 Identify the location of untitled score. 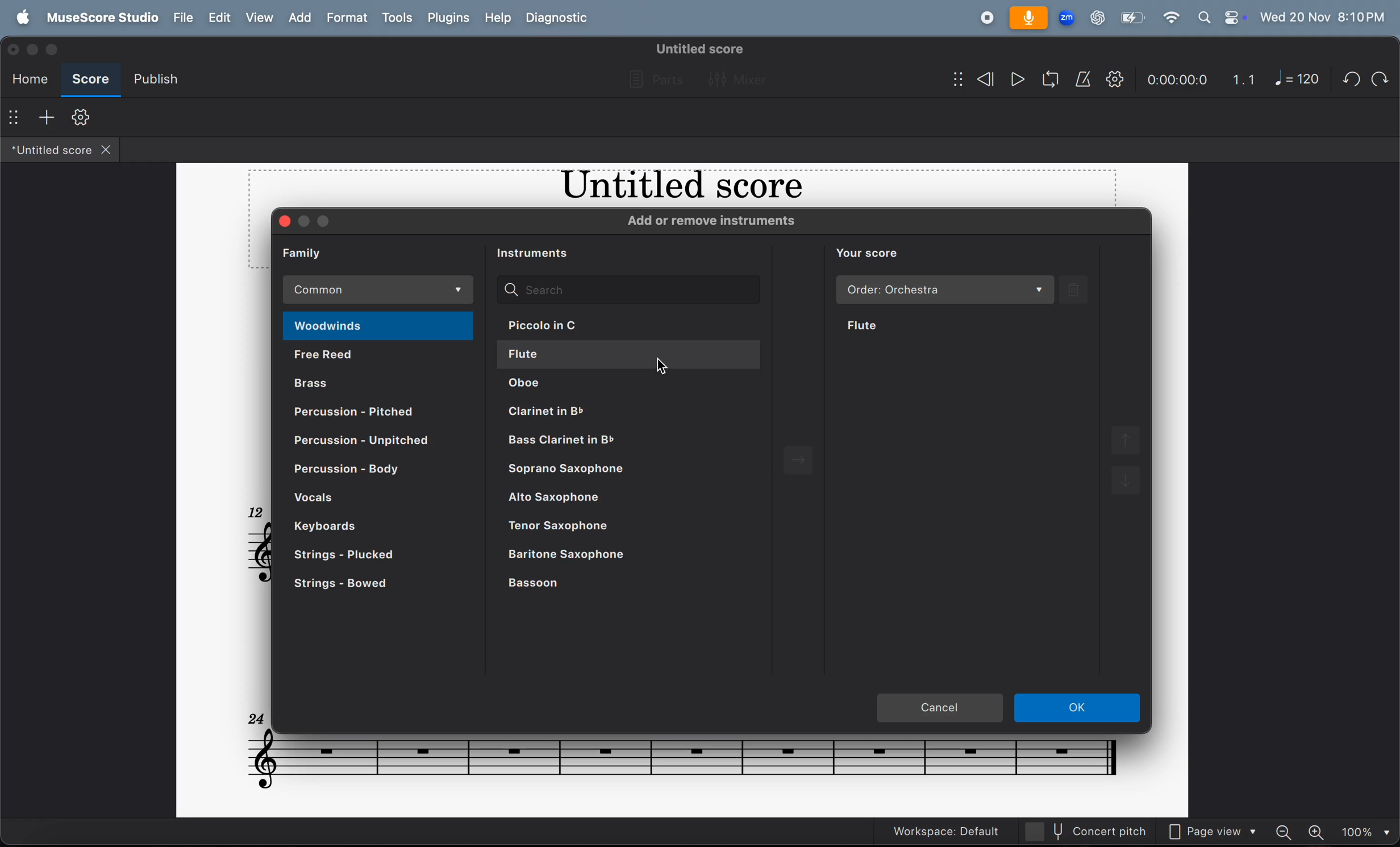
(48, 151).